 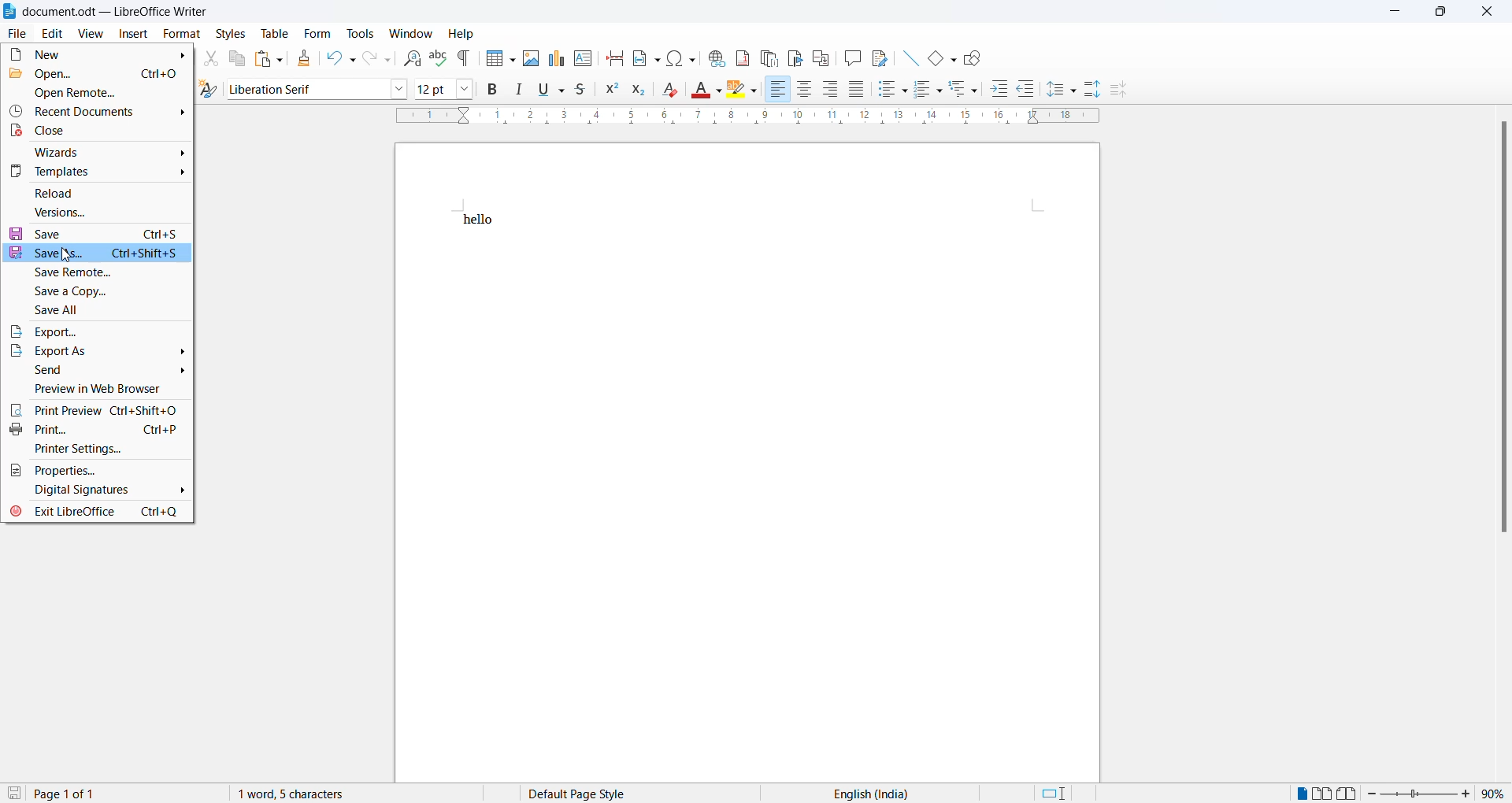 I want to click on Save all, so click(x=101, y=312).